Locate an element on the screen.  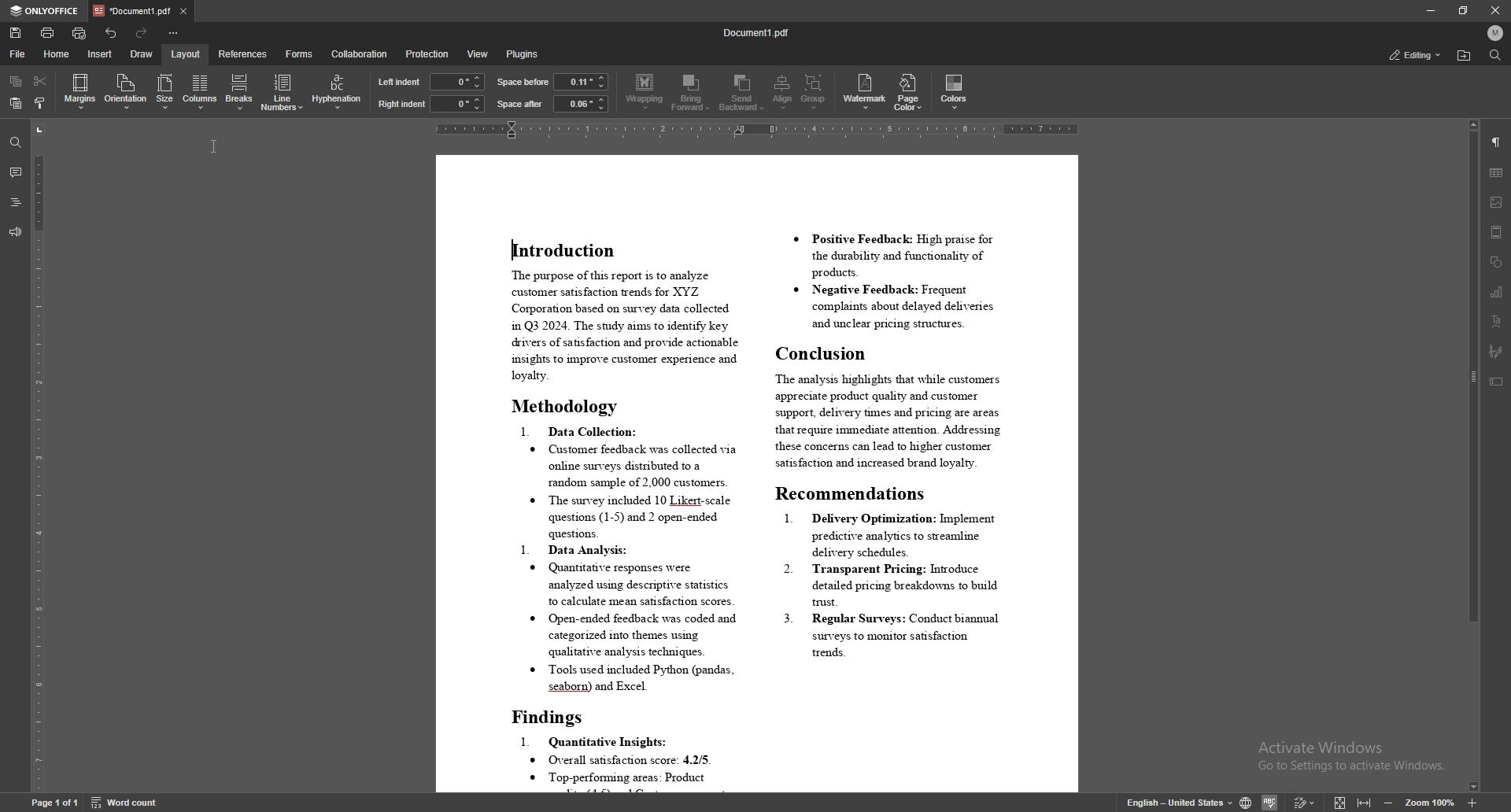
minimize is located at coordinates (1431, 10).